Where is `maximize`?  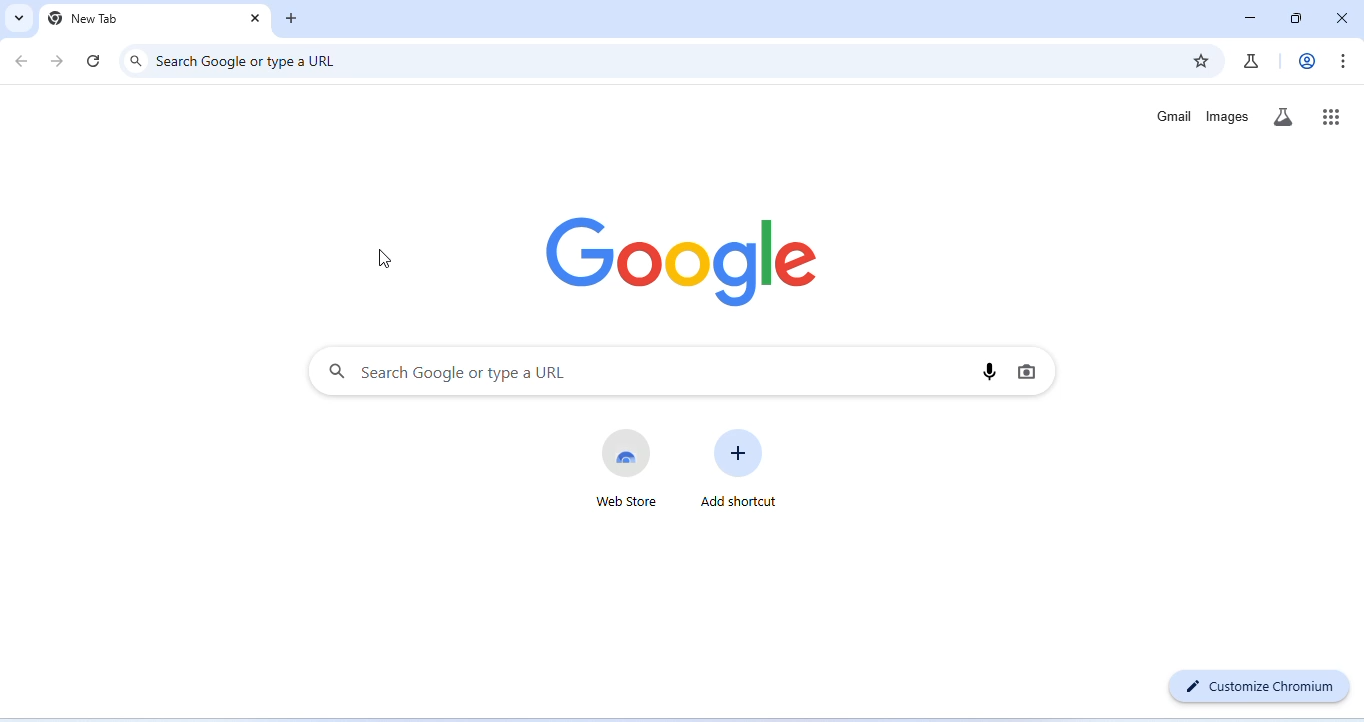
maximize is located at coordinates (1295, 19).